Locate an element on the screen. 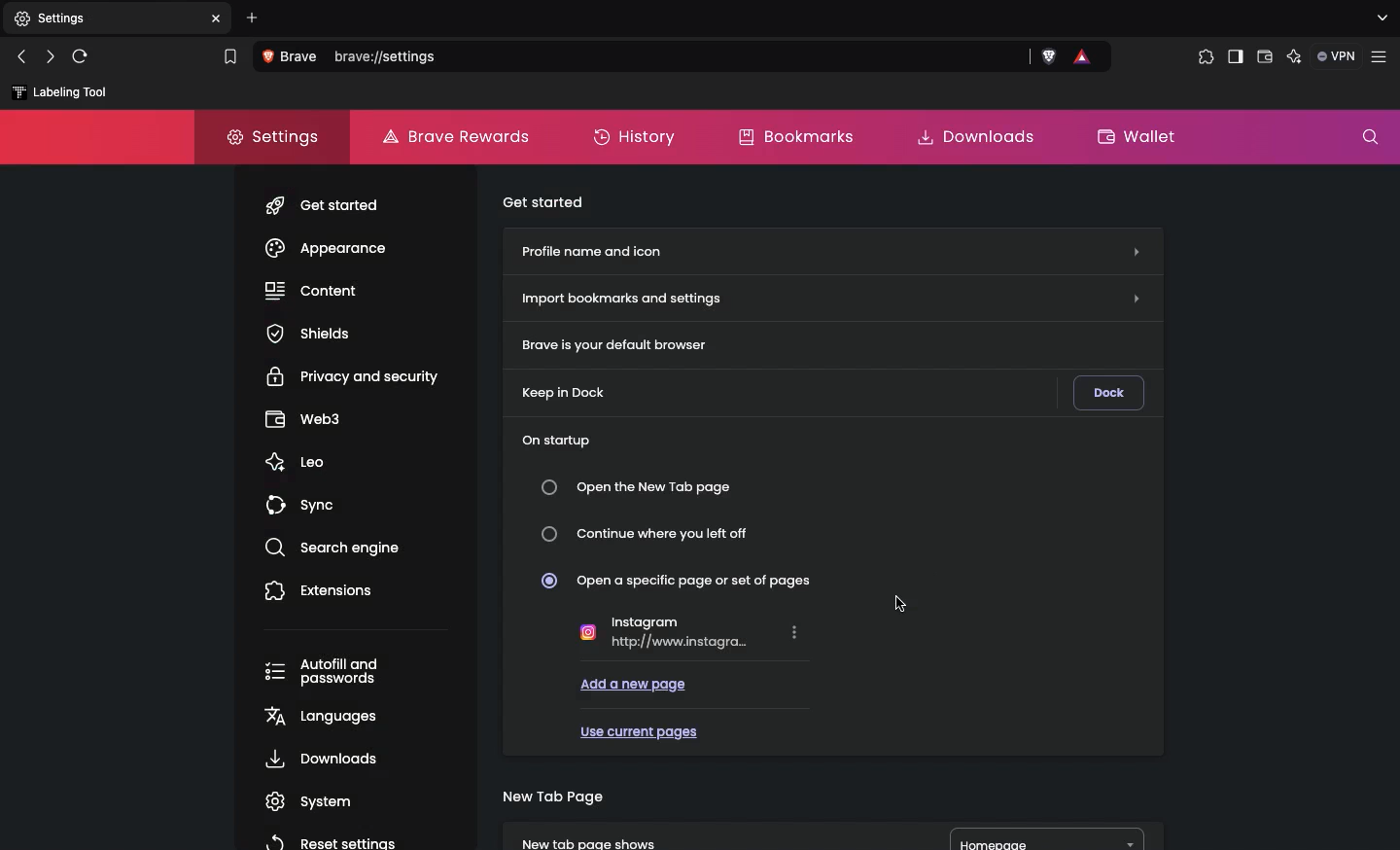  Bookmarks is located at coordinates (228, 57).